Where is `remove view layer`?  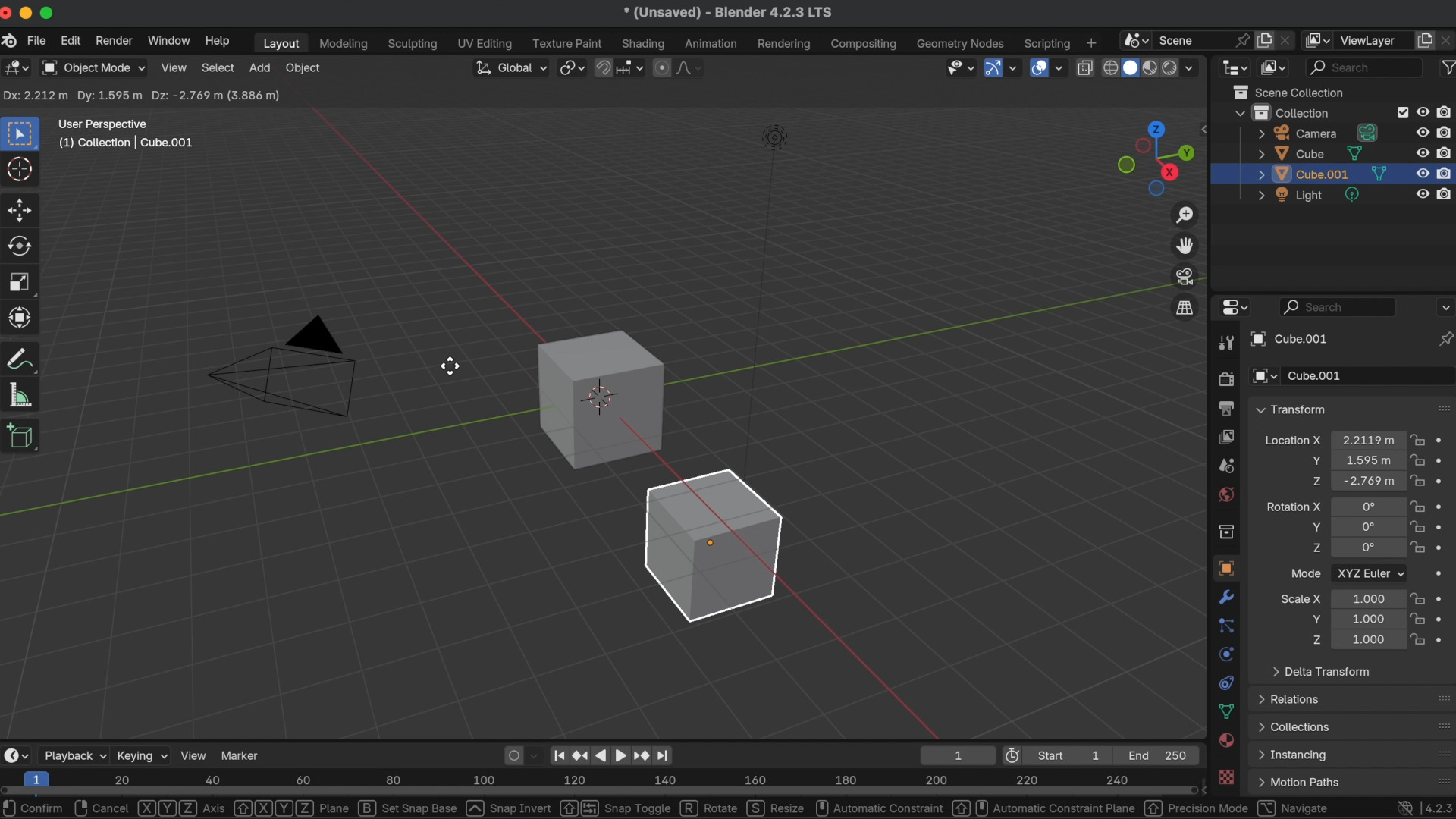 remove view layer is located at coordinates (1447, 39).